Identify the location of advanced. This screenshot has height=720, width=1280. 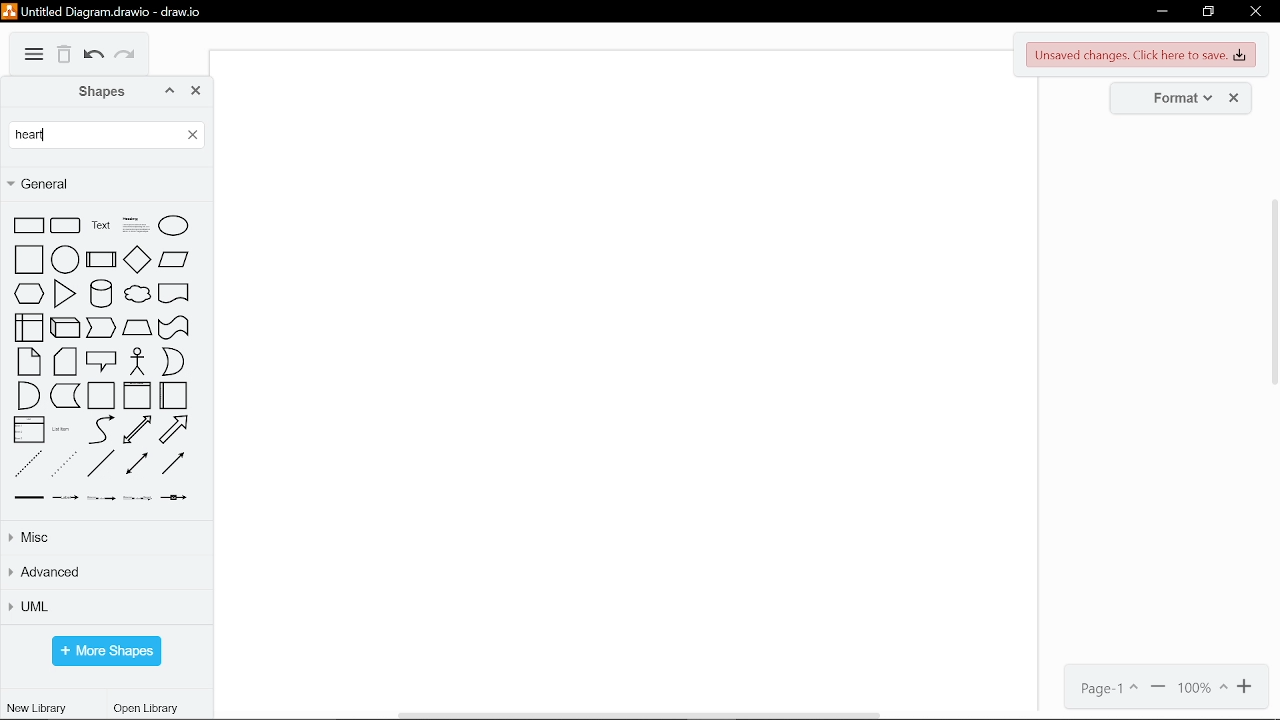
(106, 574).